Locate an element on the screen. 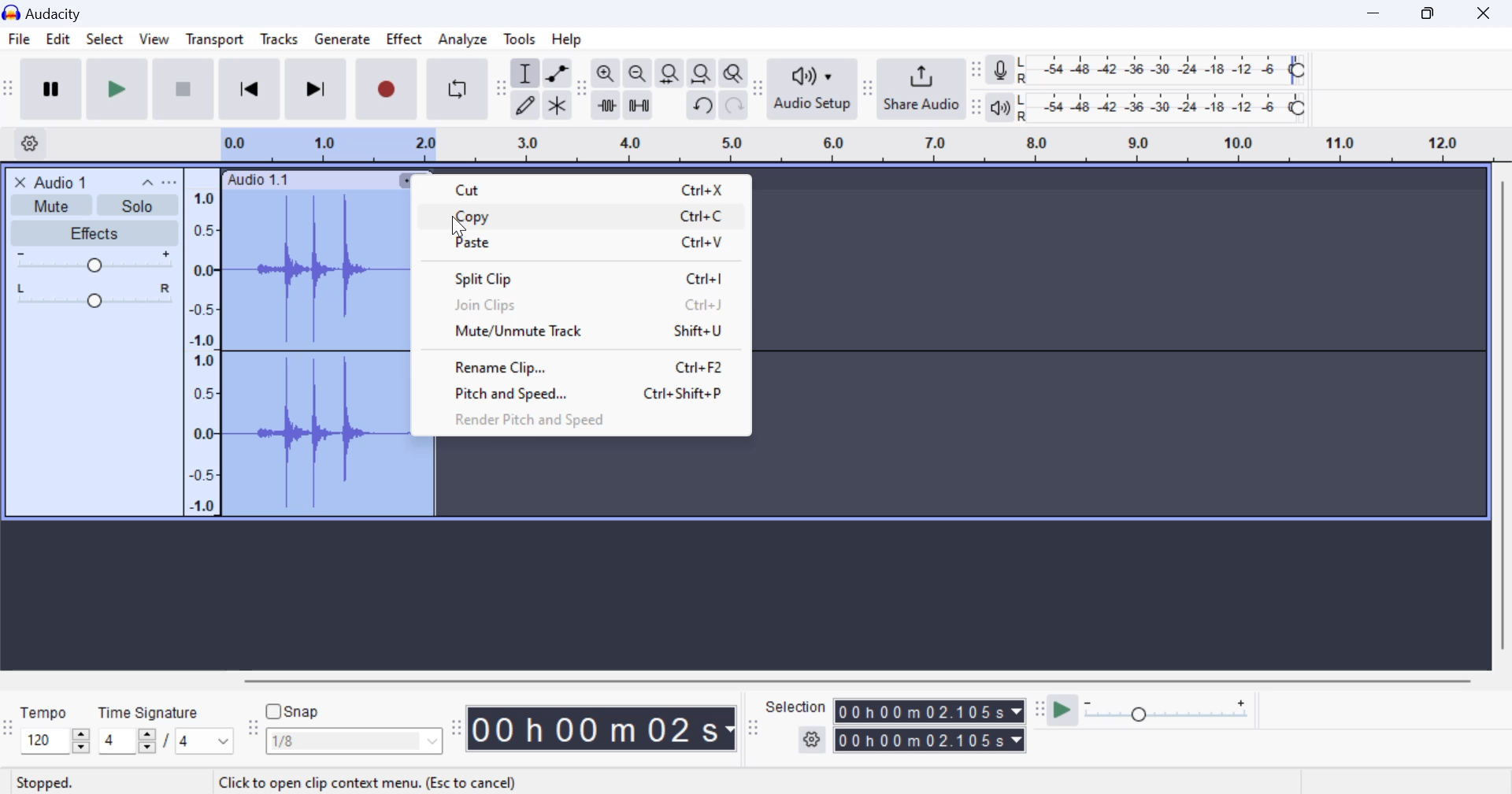 Image resolution: width=1512 pixels, height=794 pixels. Mute is located at coordinates (54, 204).